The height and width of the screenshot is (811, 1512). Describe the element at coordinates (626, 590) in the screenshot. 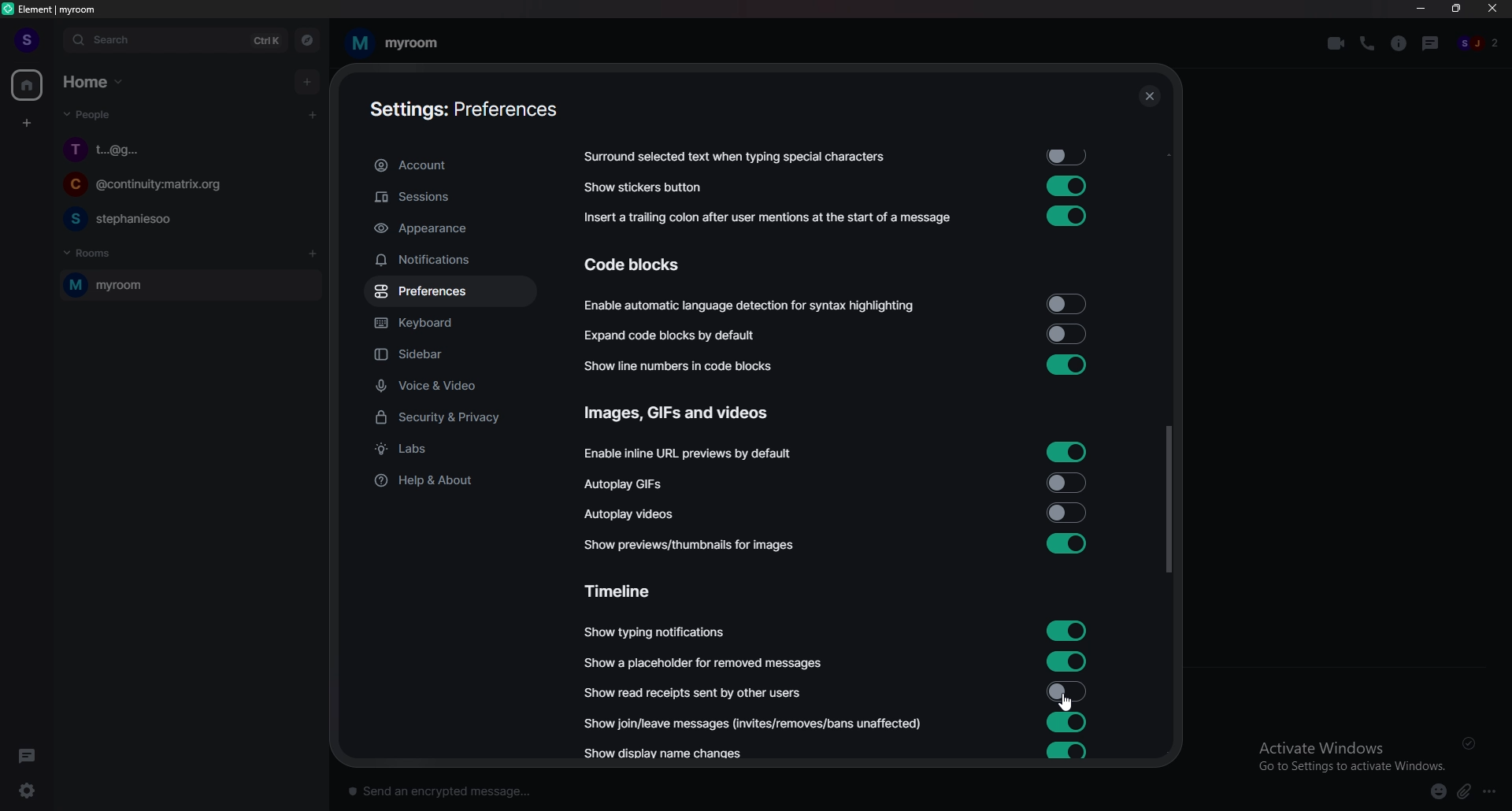

I see `timeline` at that location.